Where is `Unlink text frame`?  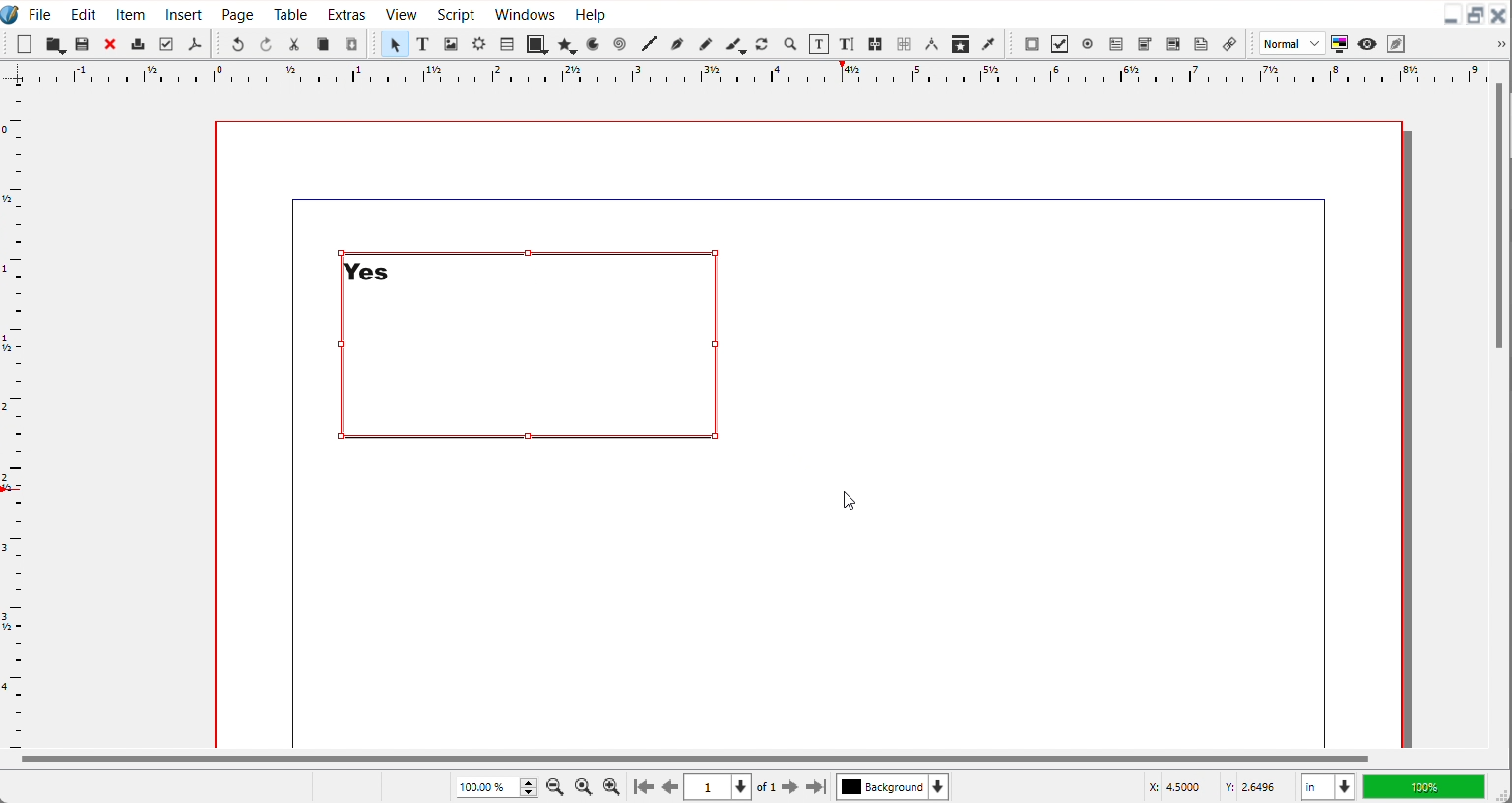
Unlink text frame is located at coordinates (903, 44).